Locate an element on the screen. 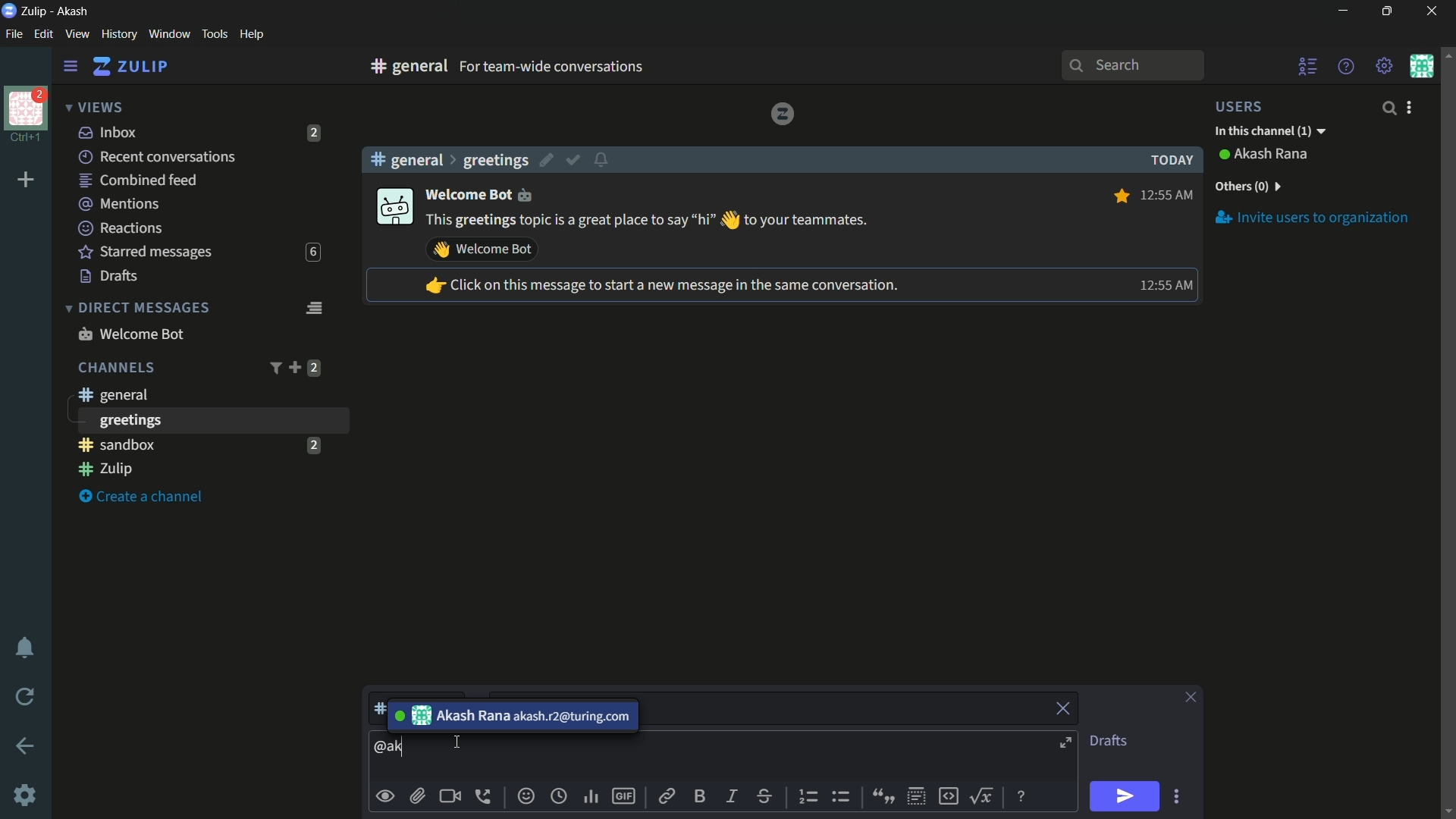 The height and width of the screenshot is (819, 1456). profile is located at coordinates (26, 107).